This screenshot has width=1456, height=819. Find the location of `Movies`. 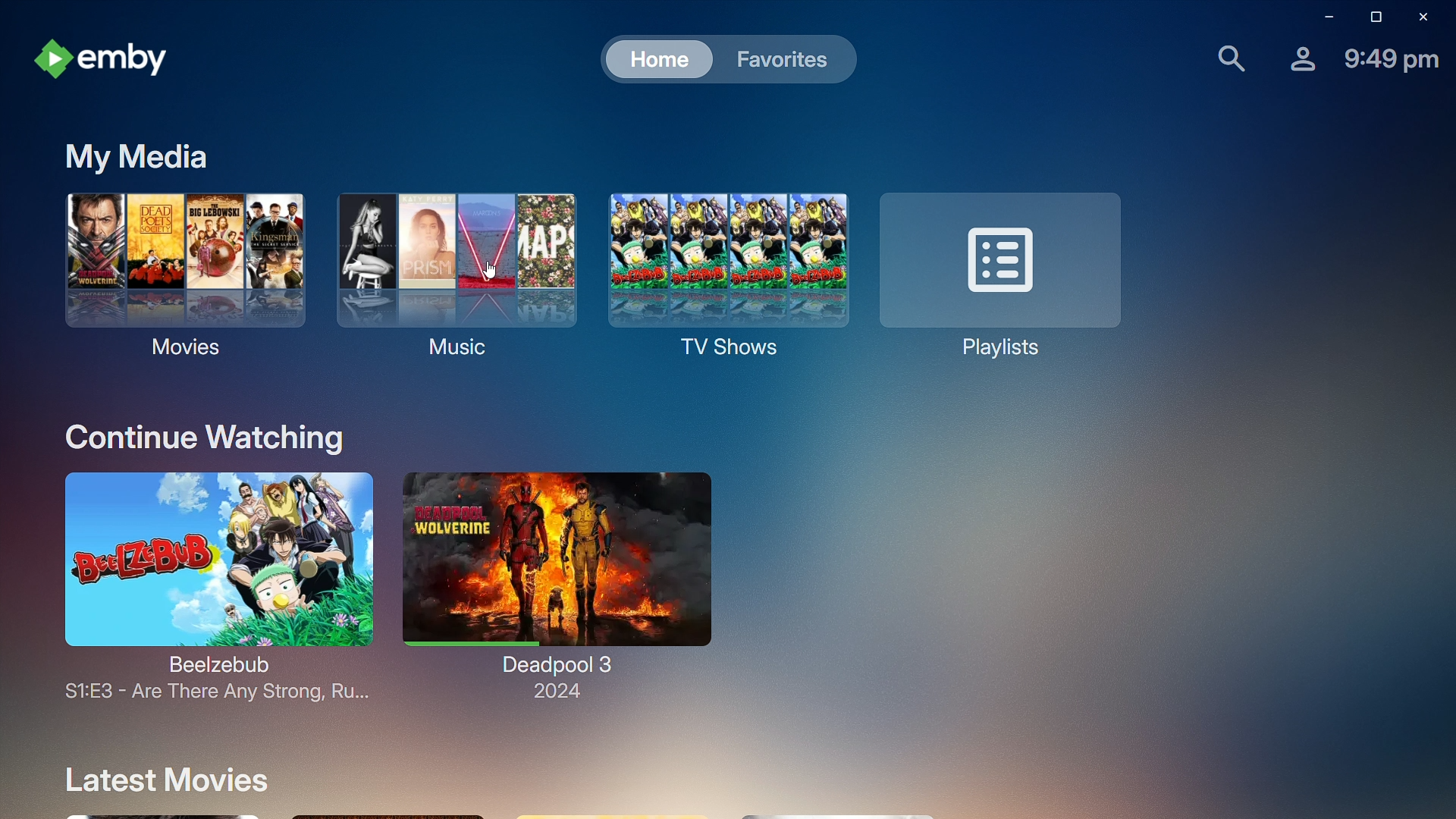

Movies is located at coordinates (182, 271).